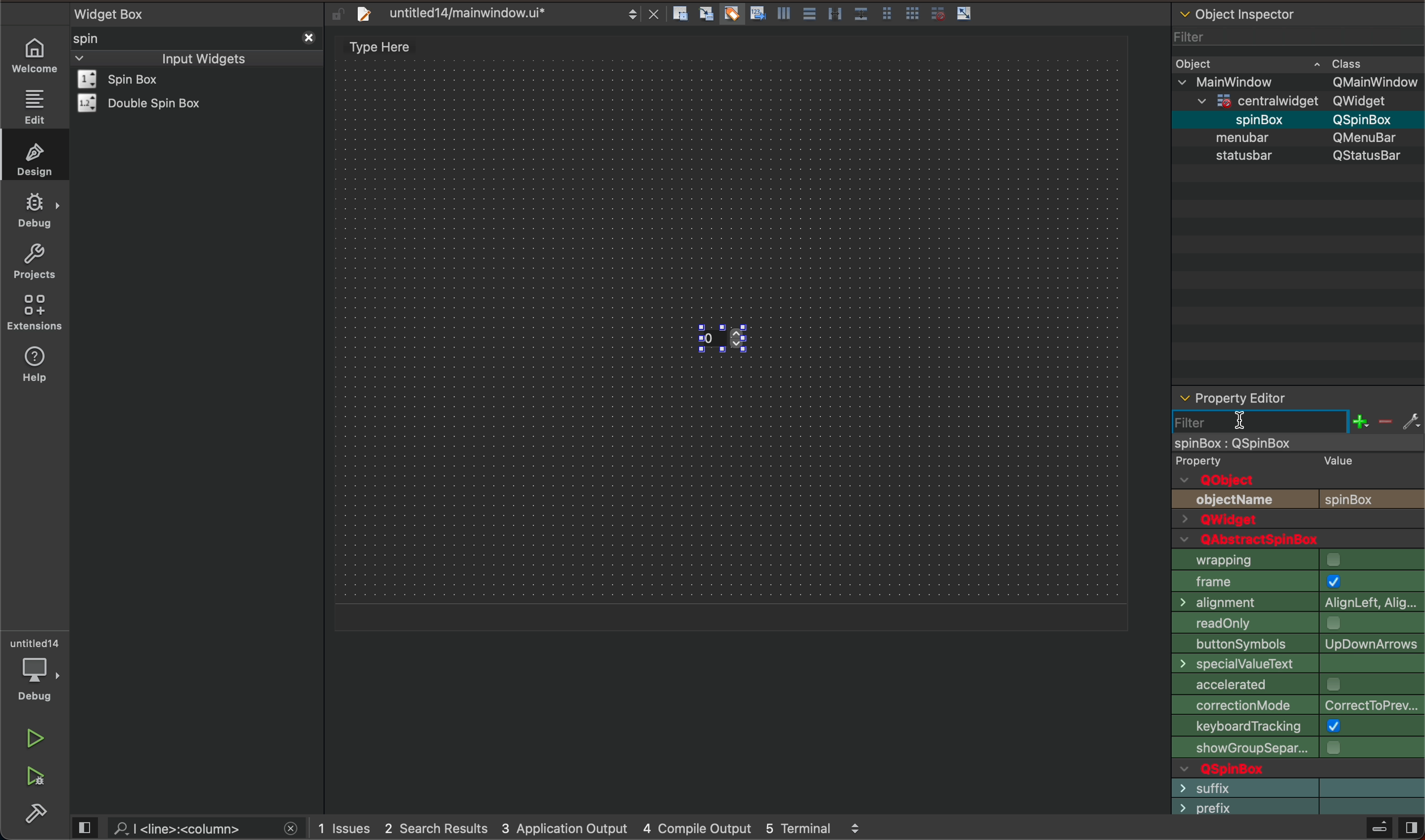  I want to click on class, so click(1349, 62).